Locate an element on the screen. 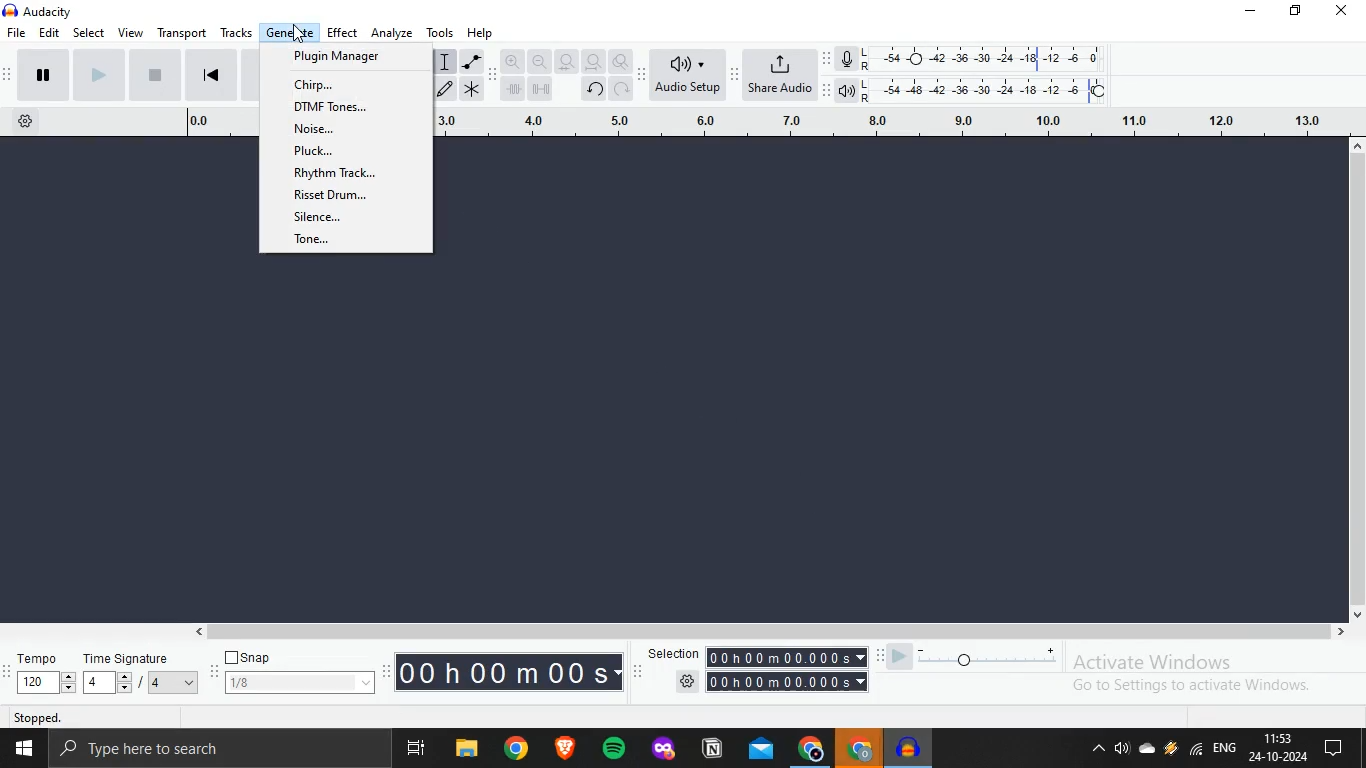 This screenshot has width=1366, height=768. Brave is located at coordinates (569, 748).